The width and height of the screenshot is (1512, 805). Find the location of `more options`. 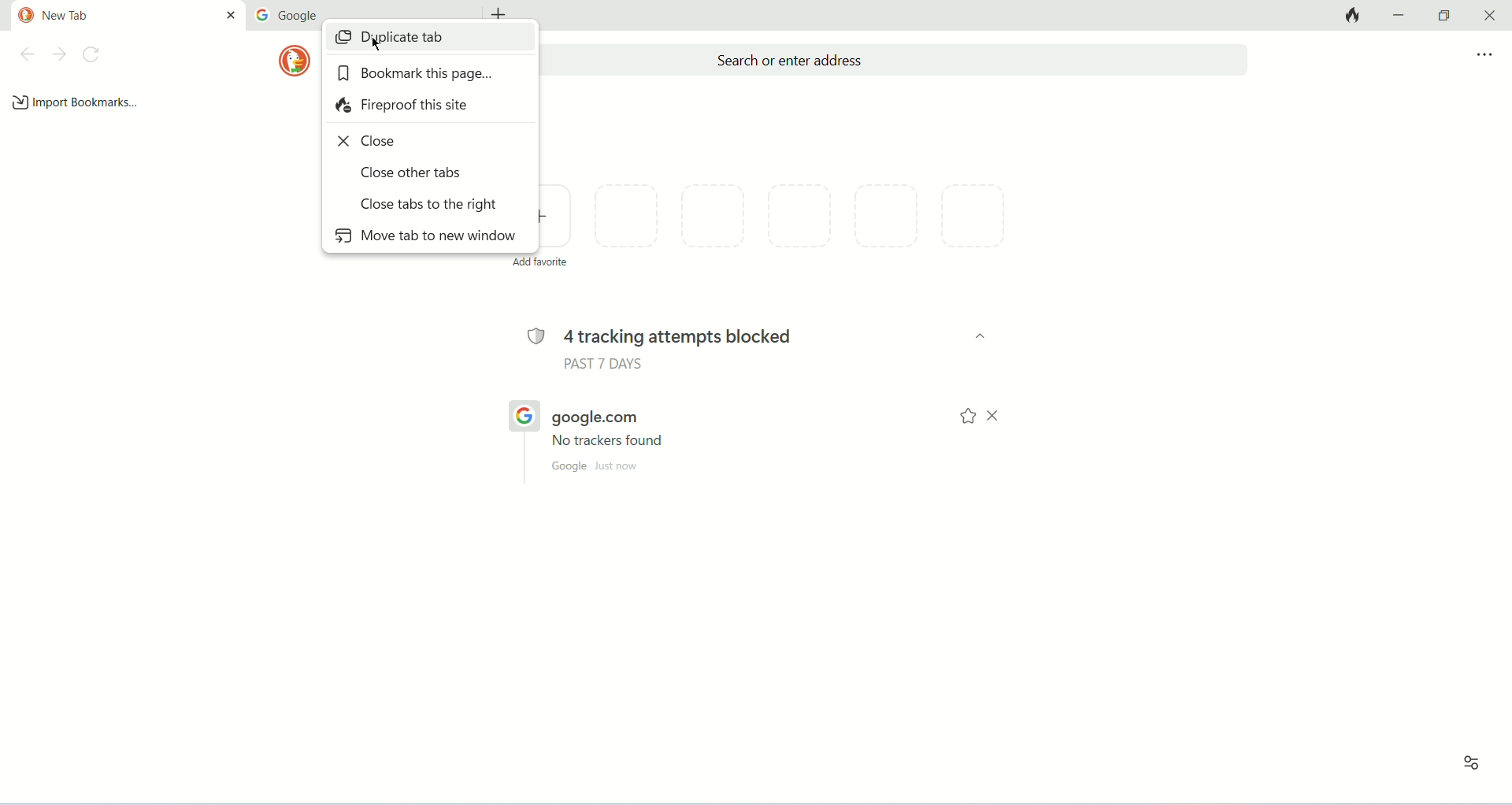

more options is located at coordinates (1484, 55).